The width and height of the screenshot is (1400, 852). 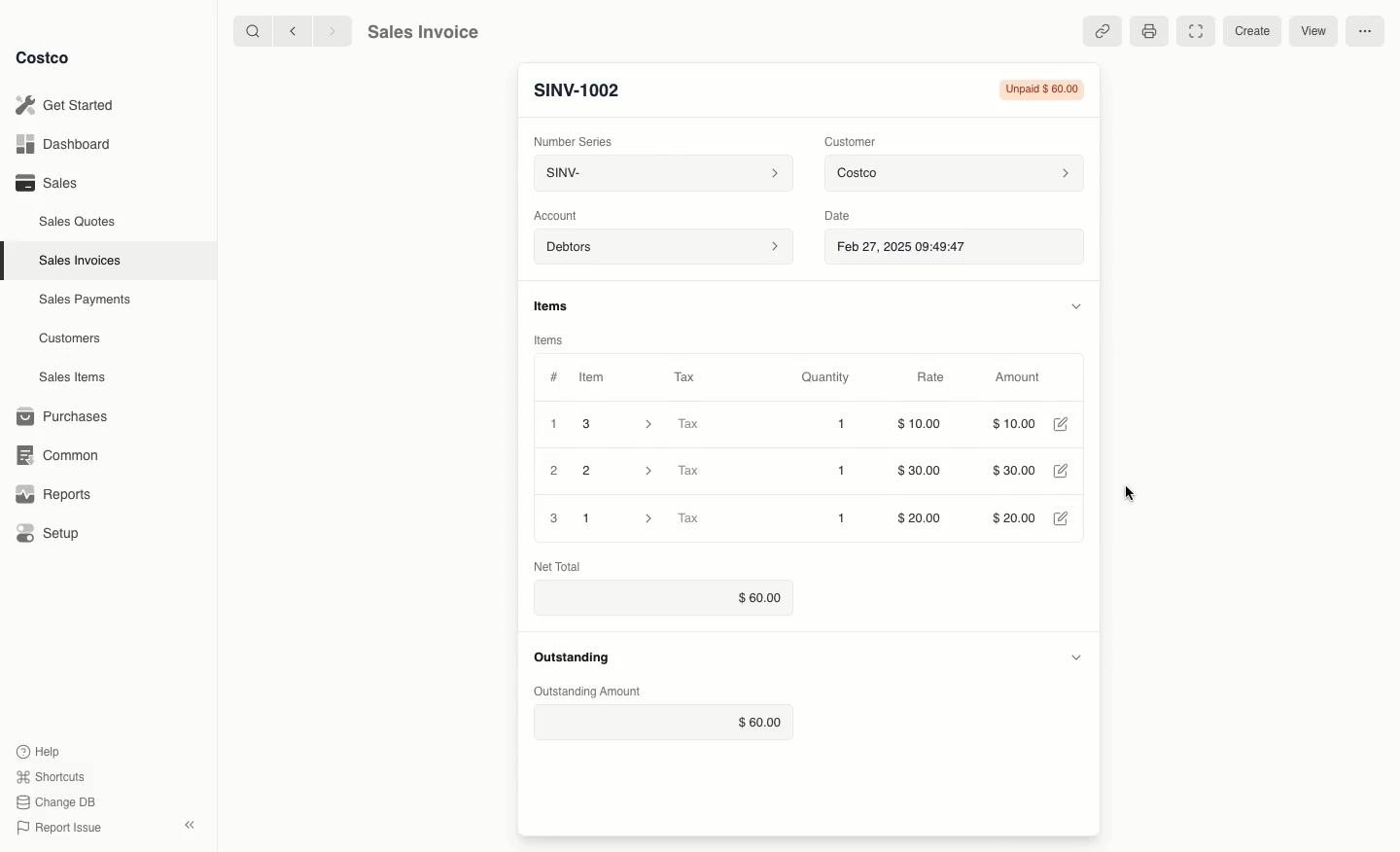 I want to click on Sales, so click(x=45, y=182).